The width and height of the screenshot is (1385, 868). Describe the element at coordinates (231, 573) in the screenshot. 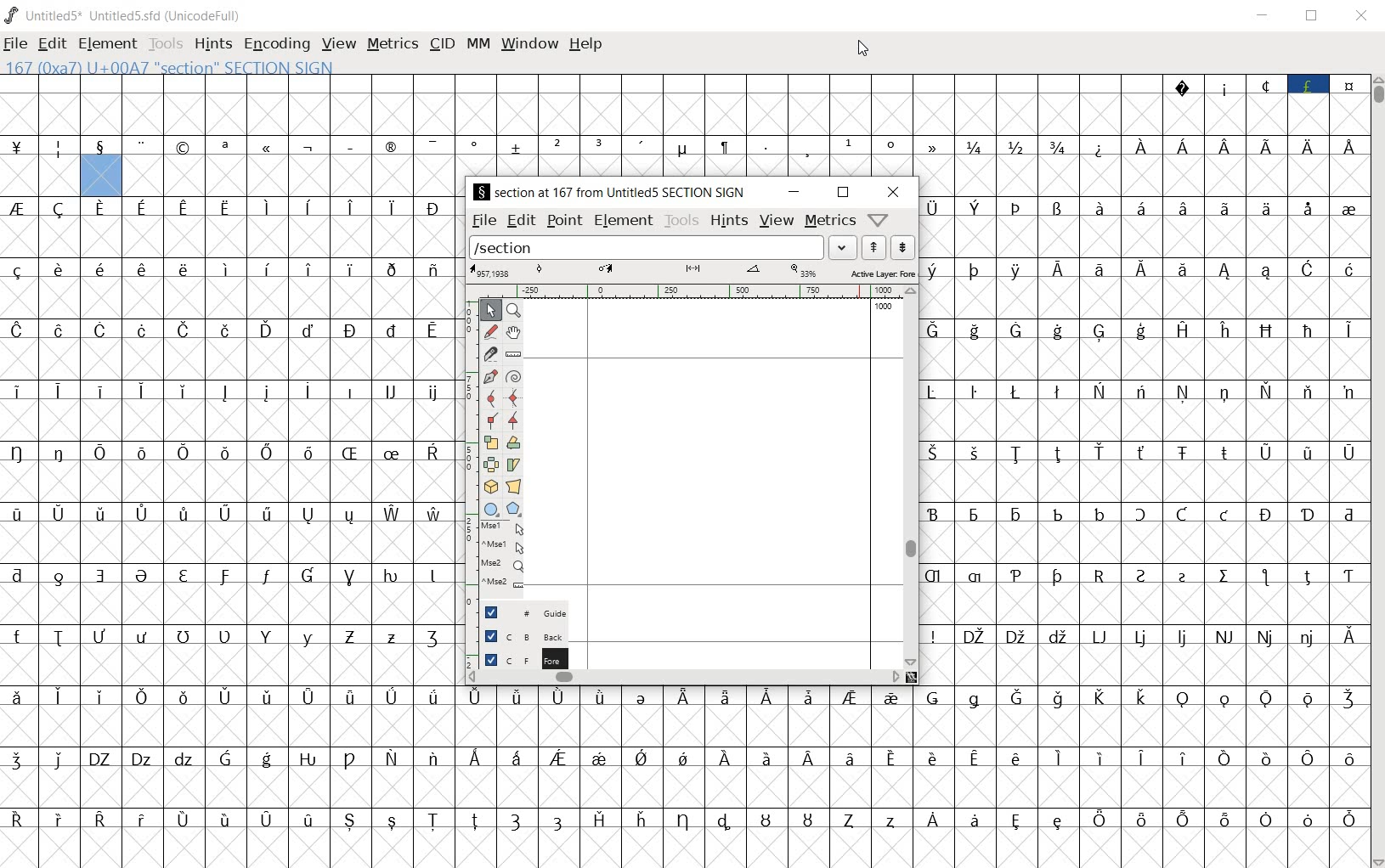

I see `special letters` at that location.